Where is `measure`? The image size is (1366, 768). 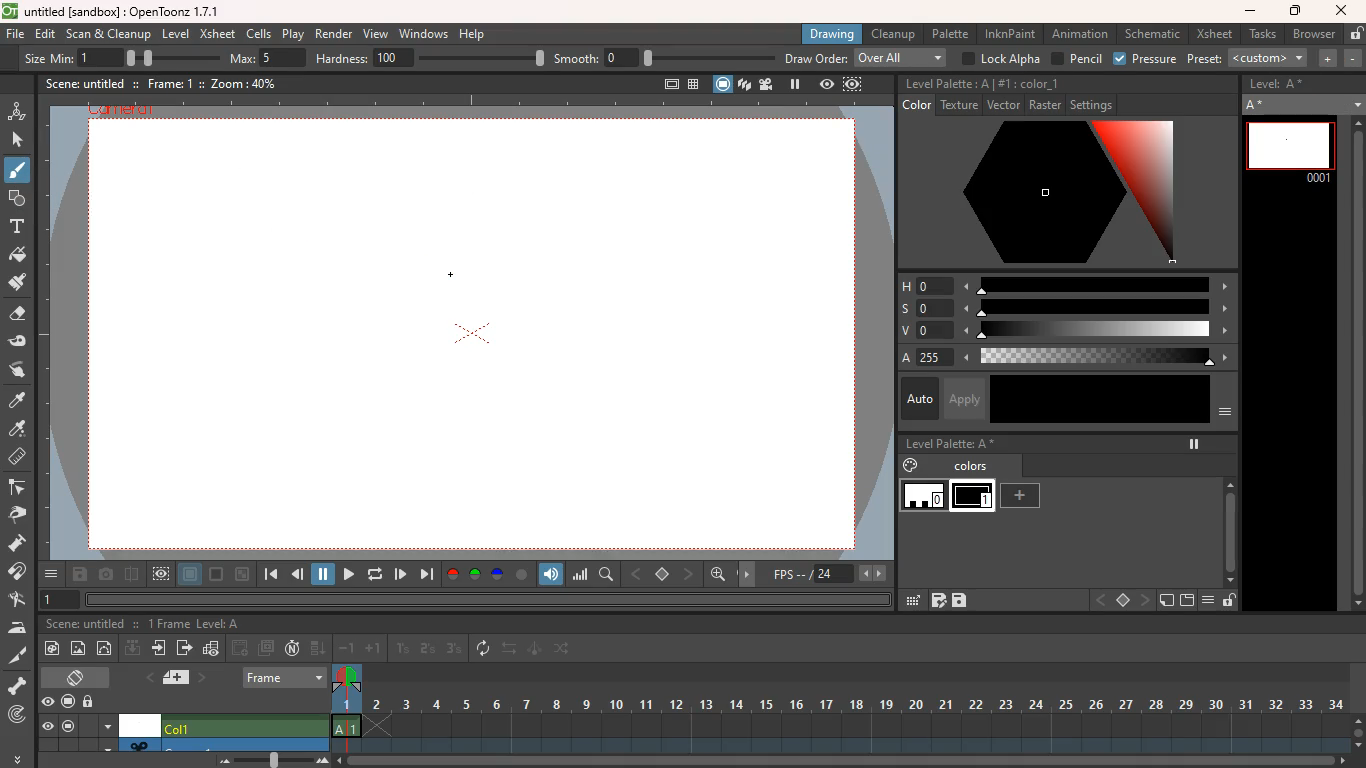 measure is located at coordinates (19, 458).